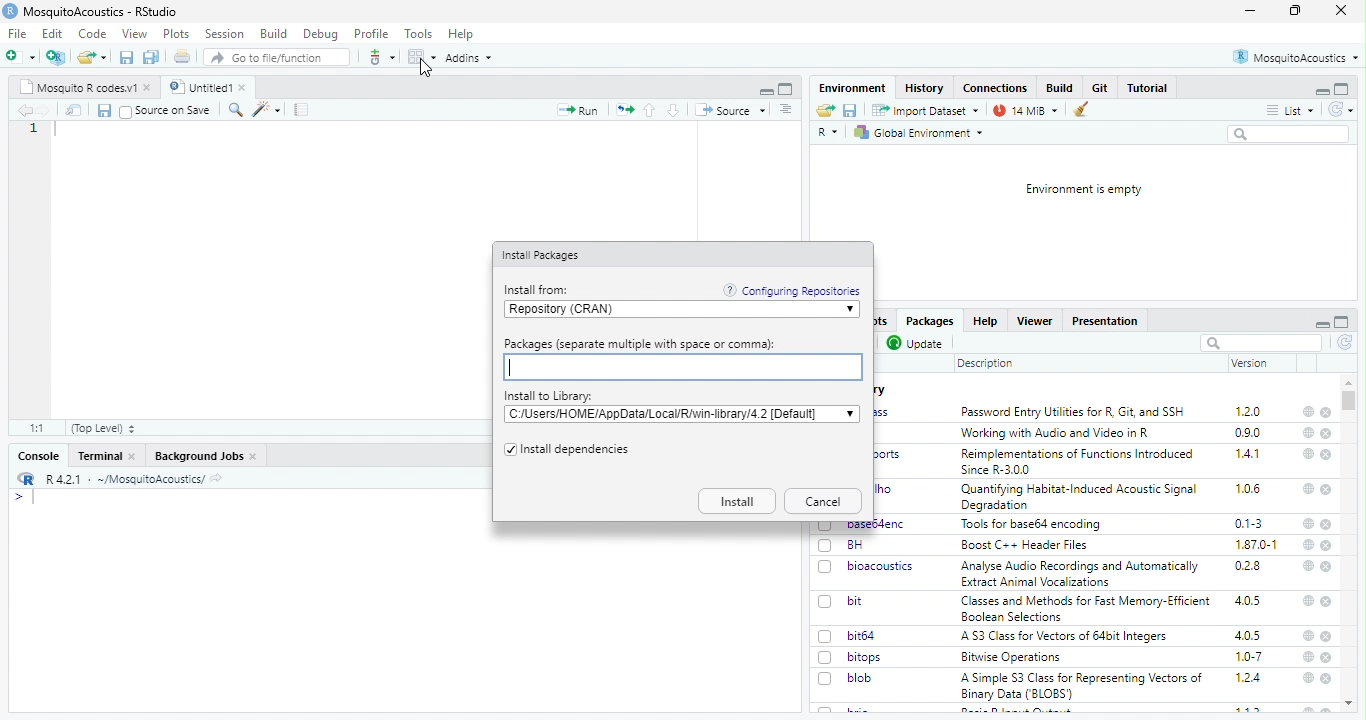 The height and width of the screenshot is (720, 1366). I want to click on open file, so click(21, 57).